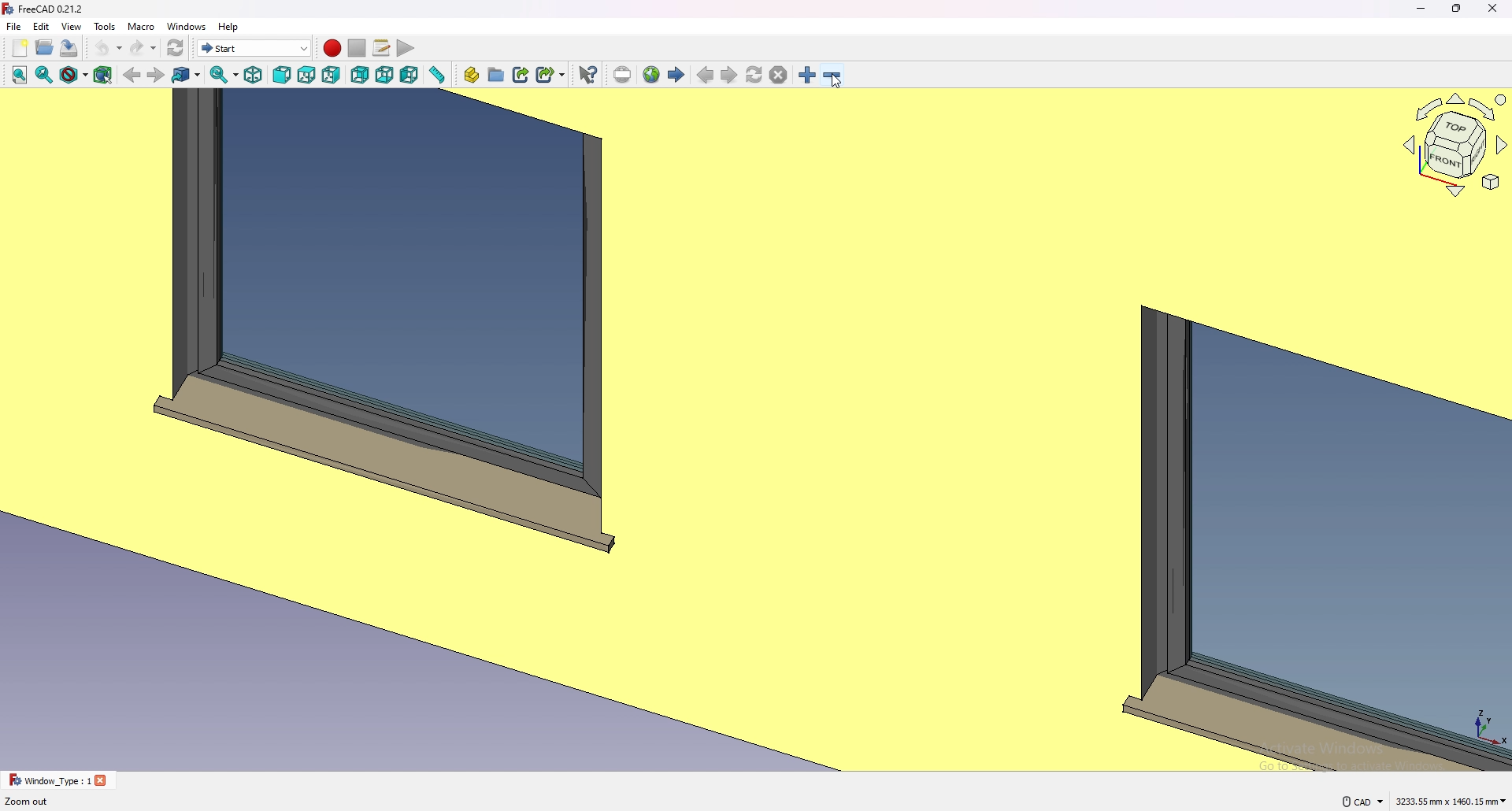 The image size is (1512, 811). I want to click on open, so click(44, 48).